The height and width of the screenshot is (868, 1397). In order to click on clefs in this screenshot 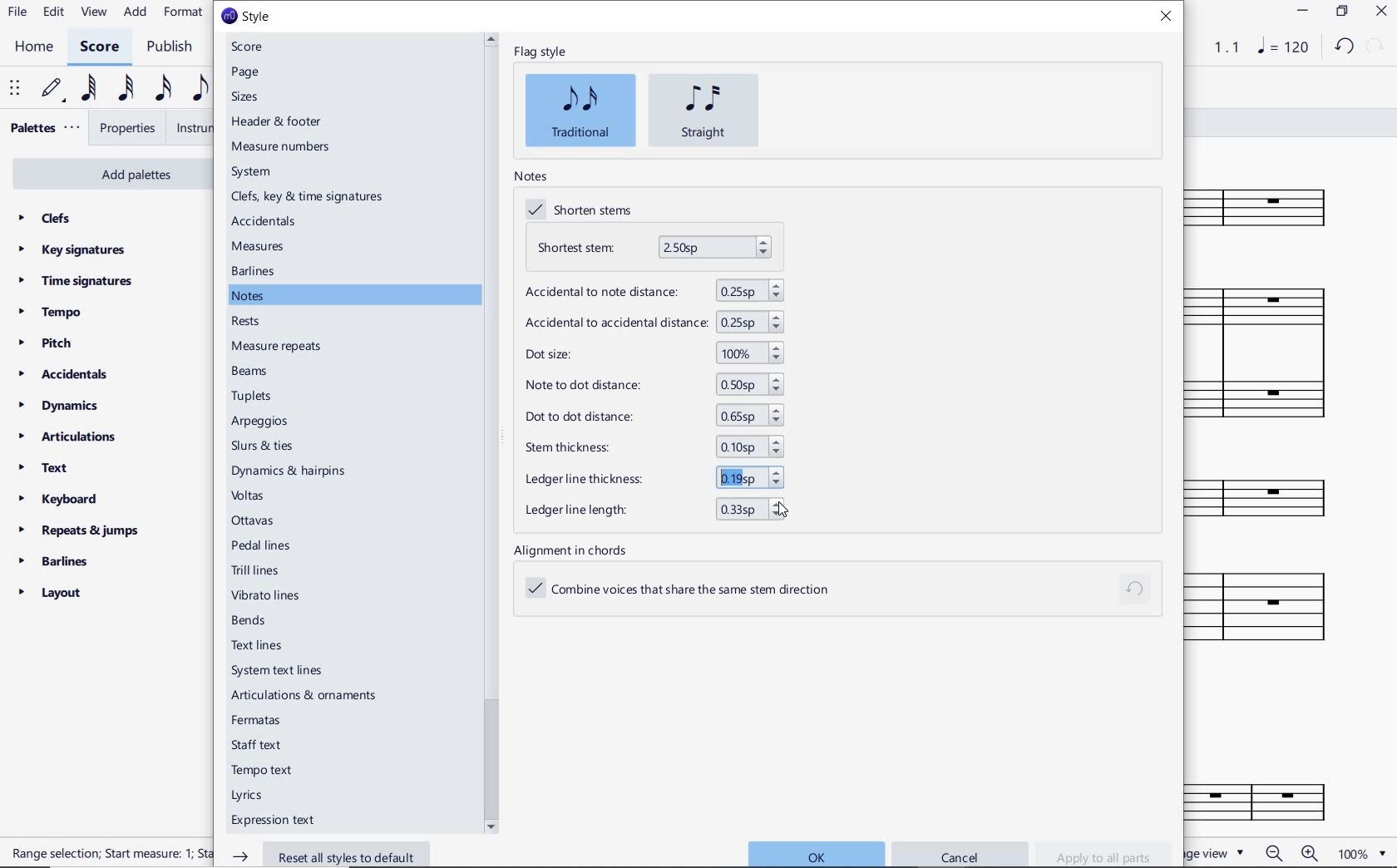, I will do `click(44, 218)`.